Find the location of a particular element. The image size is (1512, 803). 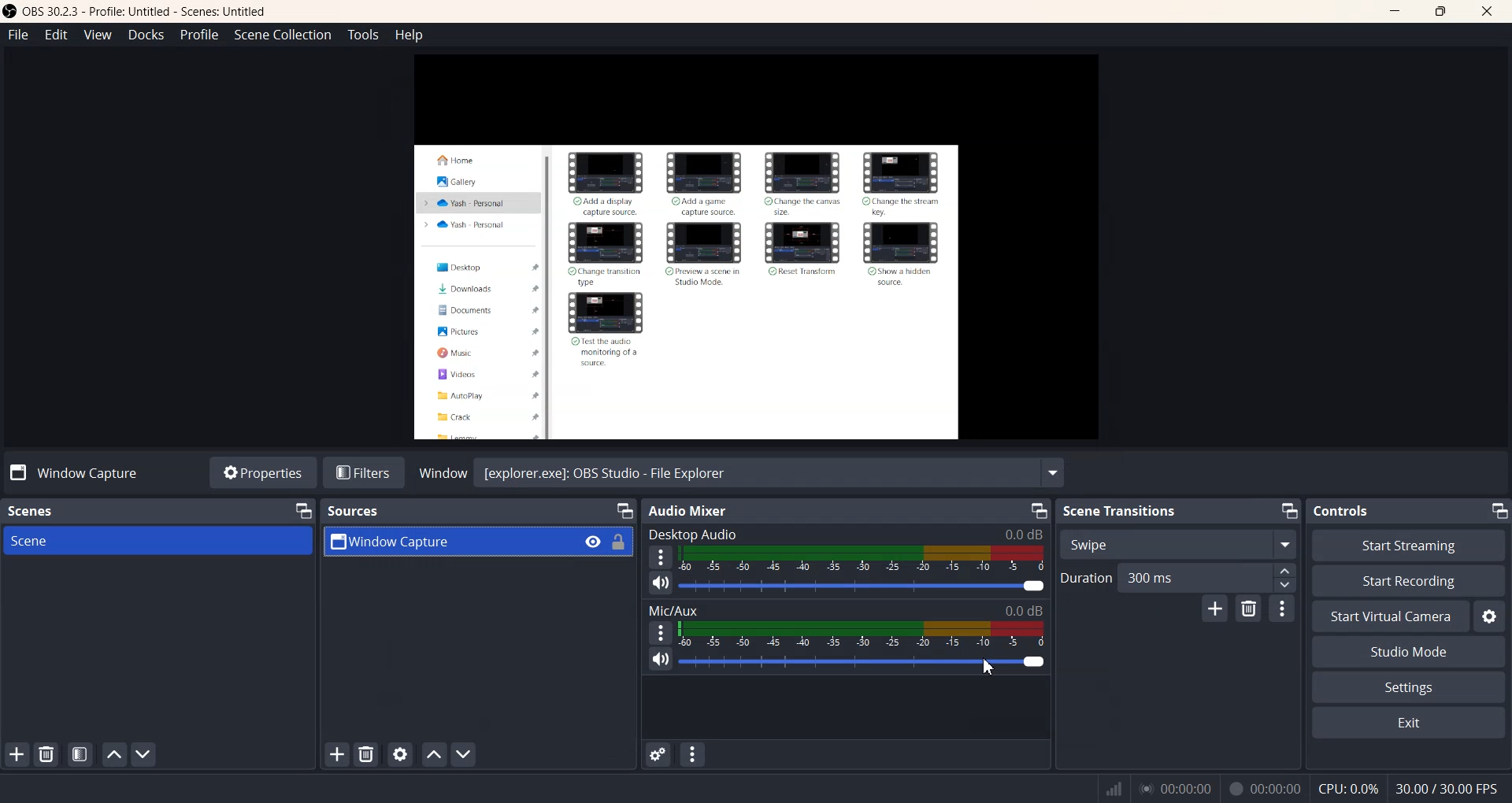

Edit is located at coordinates (57, 35).